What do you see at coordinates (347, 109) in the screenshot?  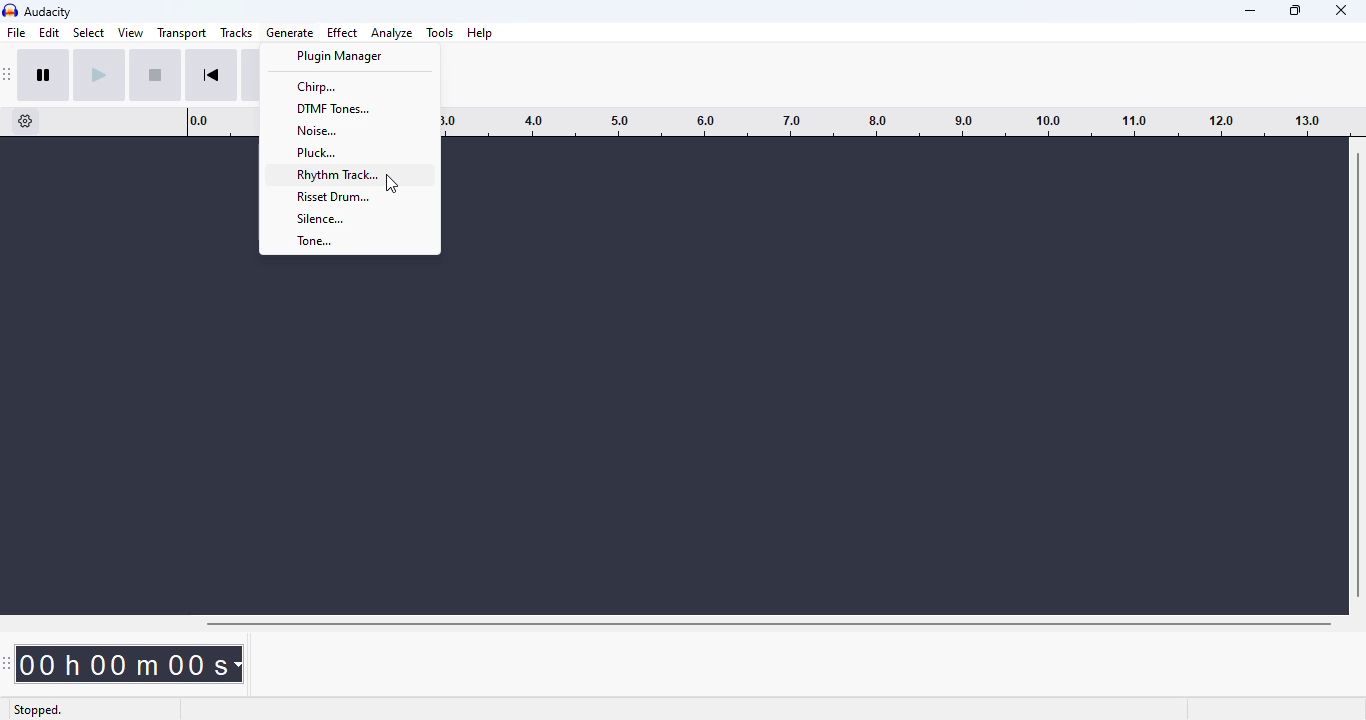 I see `DTMF tones` at bounding box center [347, 109].